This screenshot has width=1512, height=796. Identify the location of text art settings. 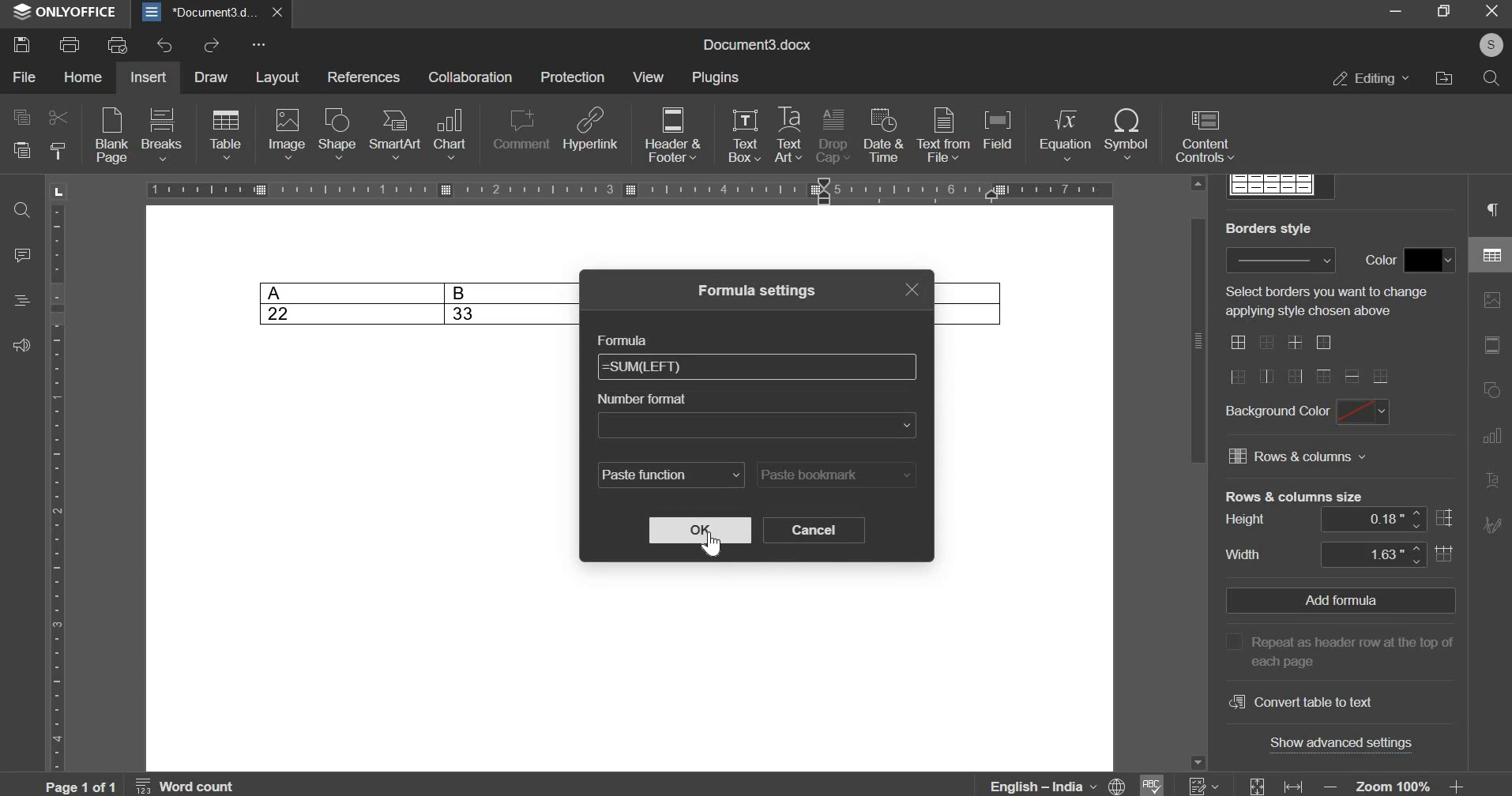
(1491, 482).